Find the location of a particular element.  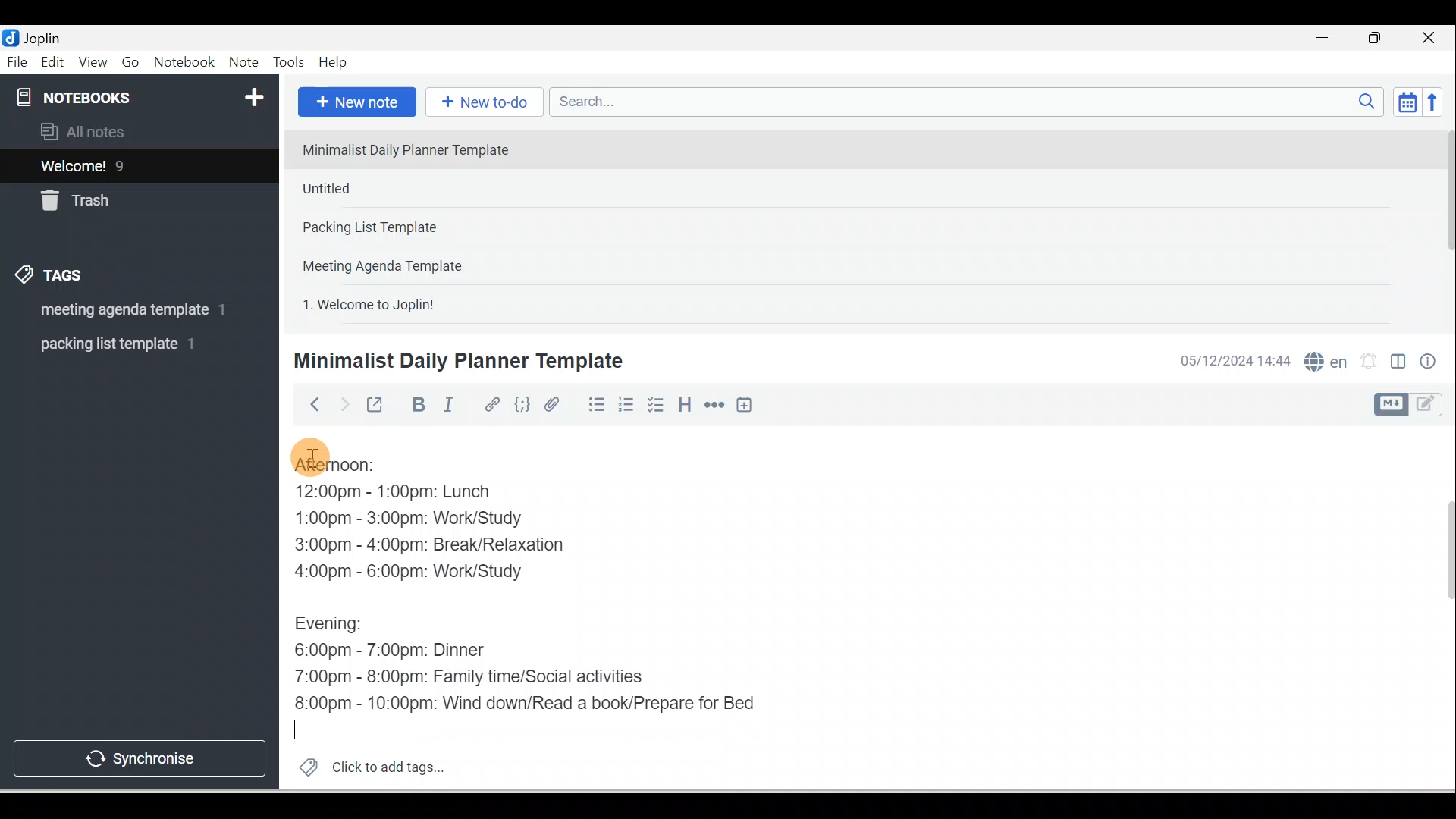

Bulleted list is located at coordinates (593, 404).